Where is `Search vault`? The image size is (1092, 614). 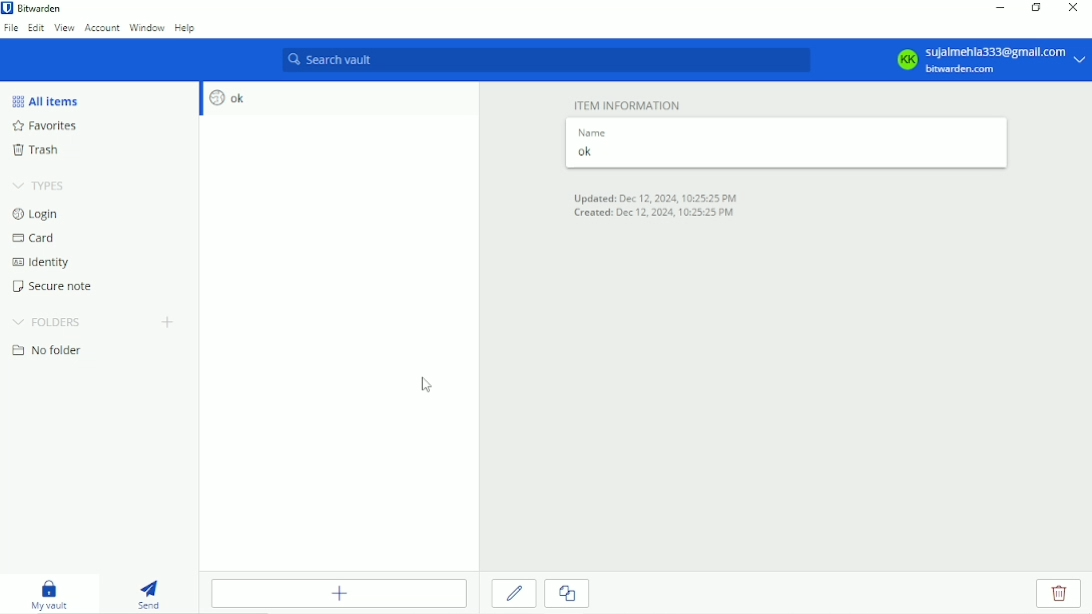 Search vault is located at coordinates (546, 60).